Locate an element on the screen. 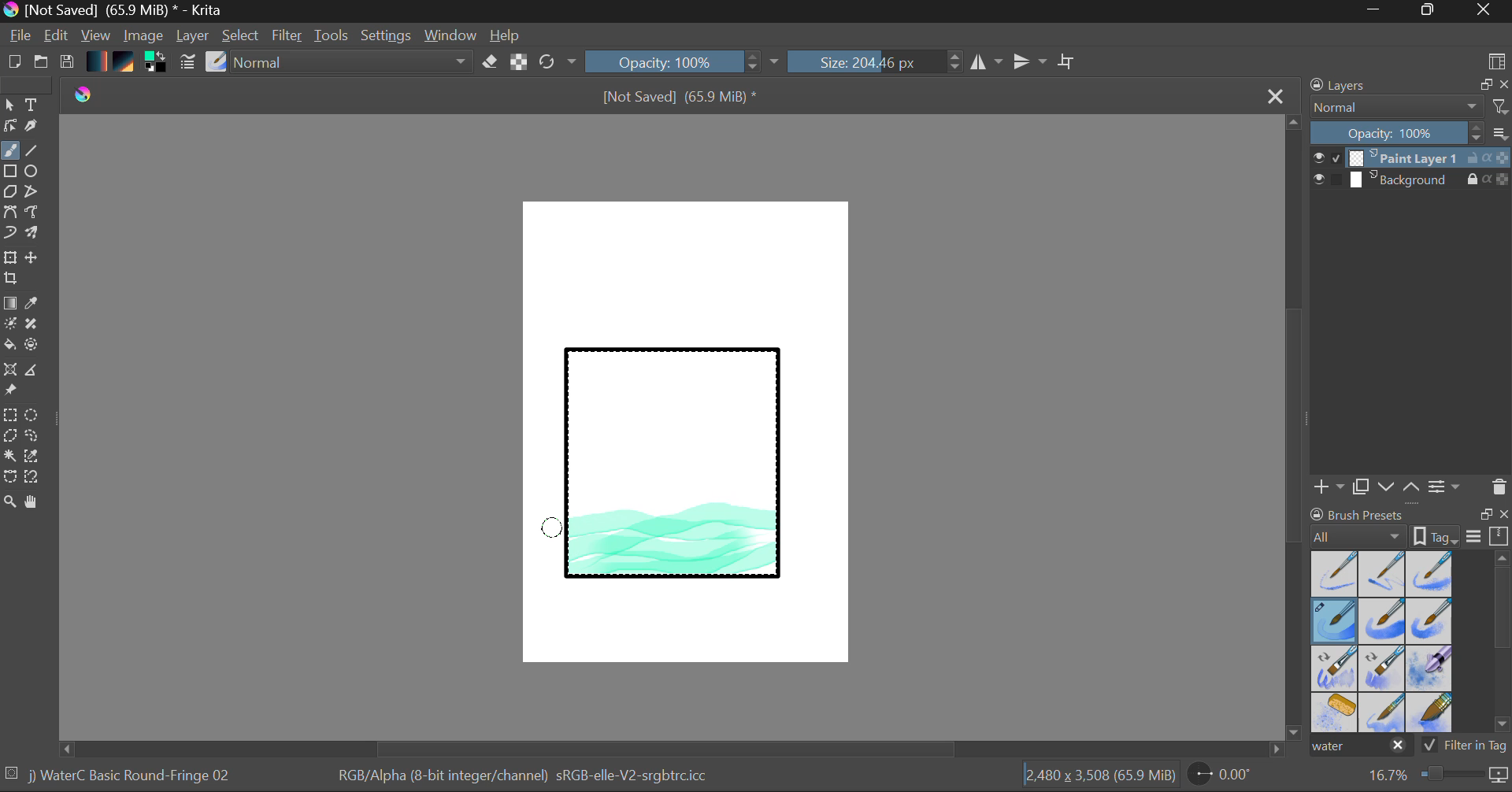  Layers Docket Tab is located at coordinates (1407, 83).